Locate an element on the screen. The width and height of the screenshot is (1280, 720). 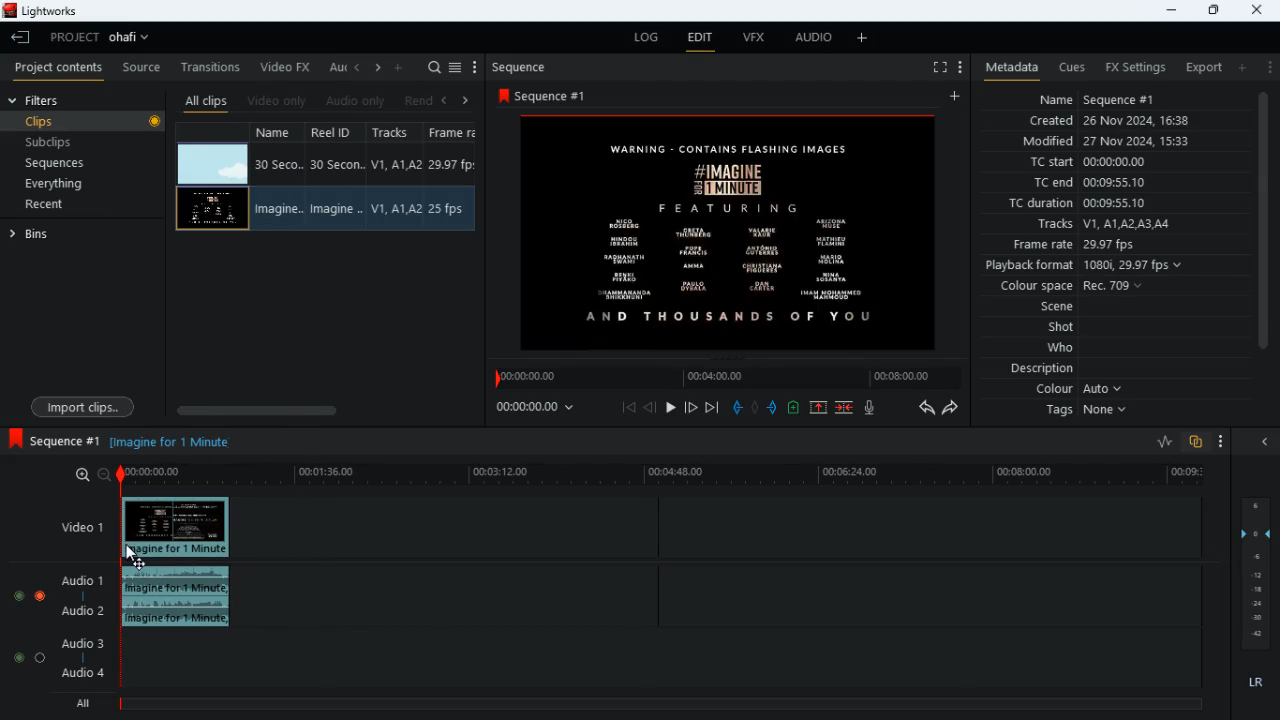
tc end is located at coordinates (1096, 183).